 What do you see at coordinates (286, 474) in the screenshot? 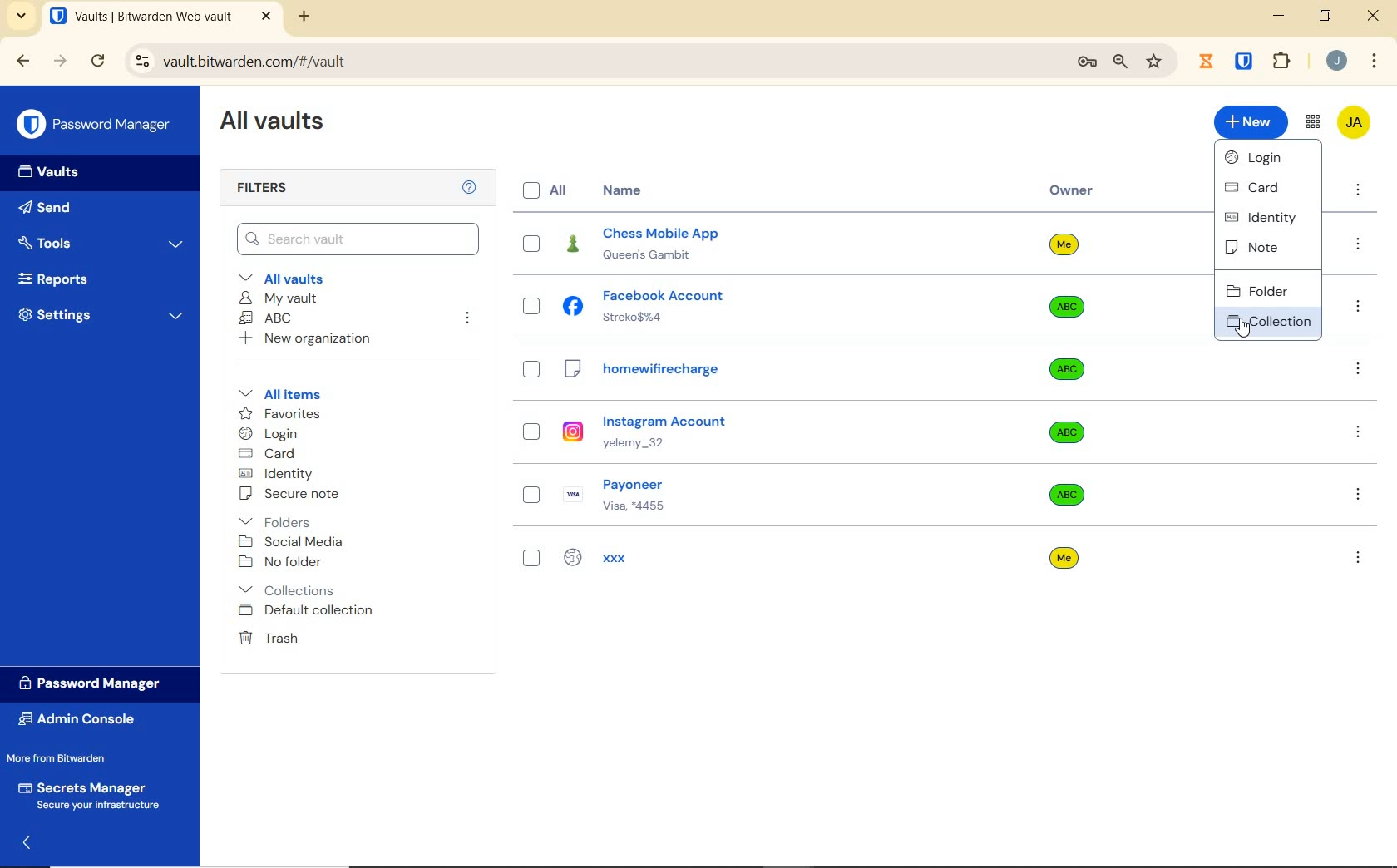
I see `identity` at bounding box center [286, 474].